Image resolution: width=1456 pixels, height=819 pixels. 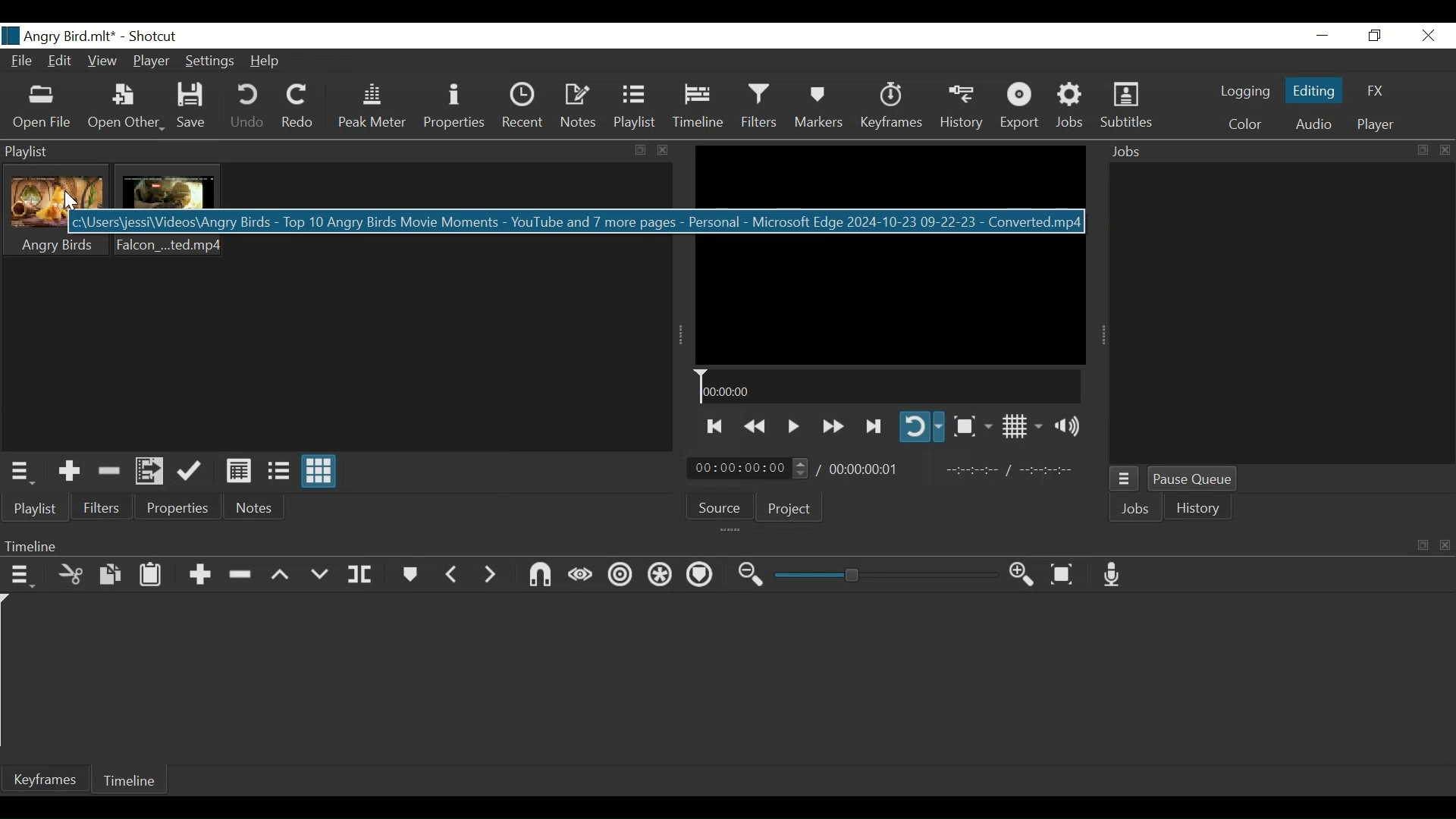 I want to click on Settings, so click(x=212, y=61).